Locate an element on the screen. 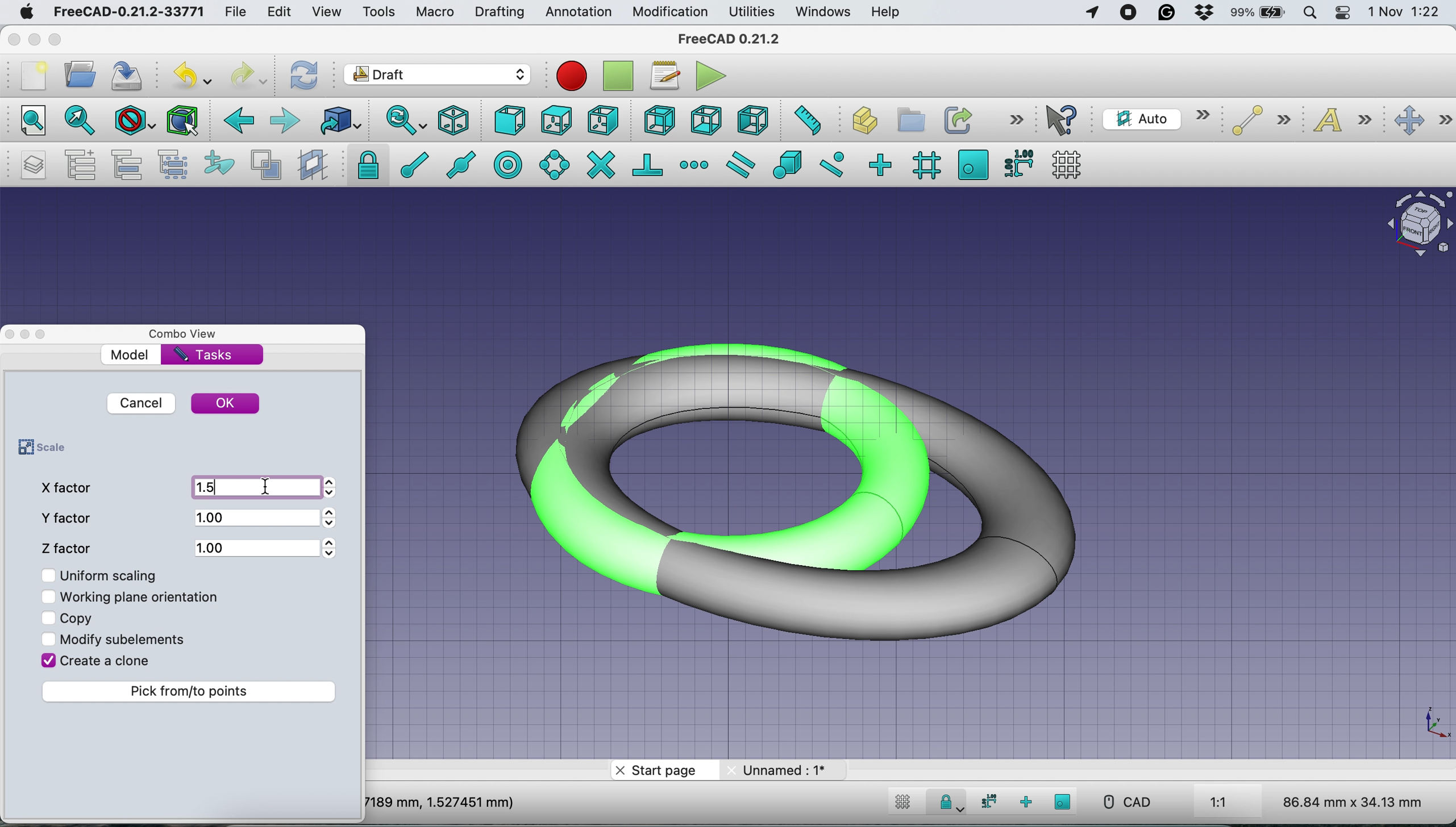 The width and height of the screenshot is (1456, 827). manage layers is located at coordinates (36, 165).